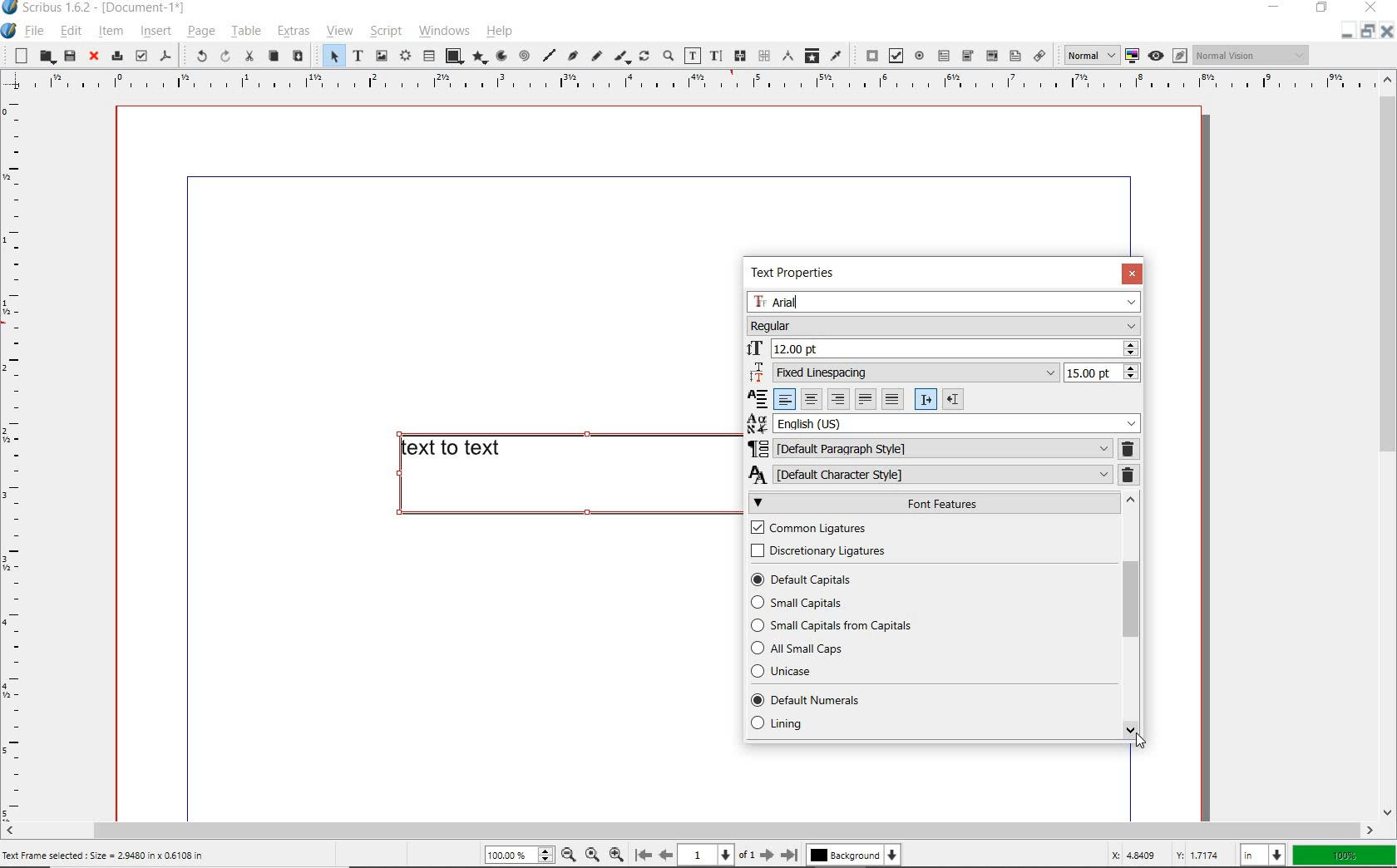 This screenshot has width=1397, height=868. I want to click on Close, so click(1385, 33).